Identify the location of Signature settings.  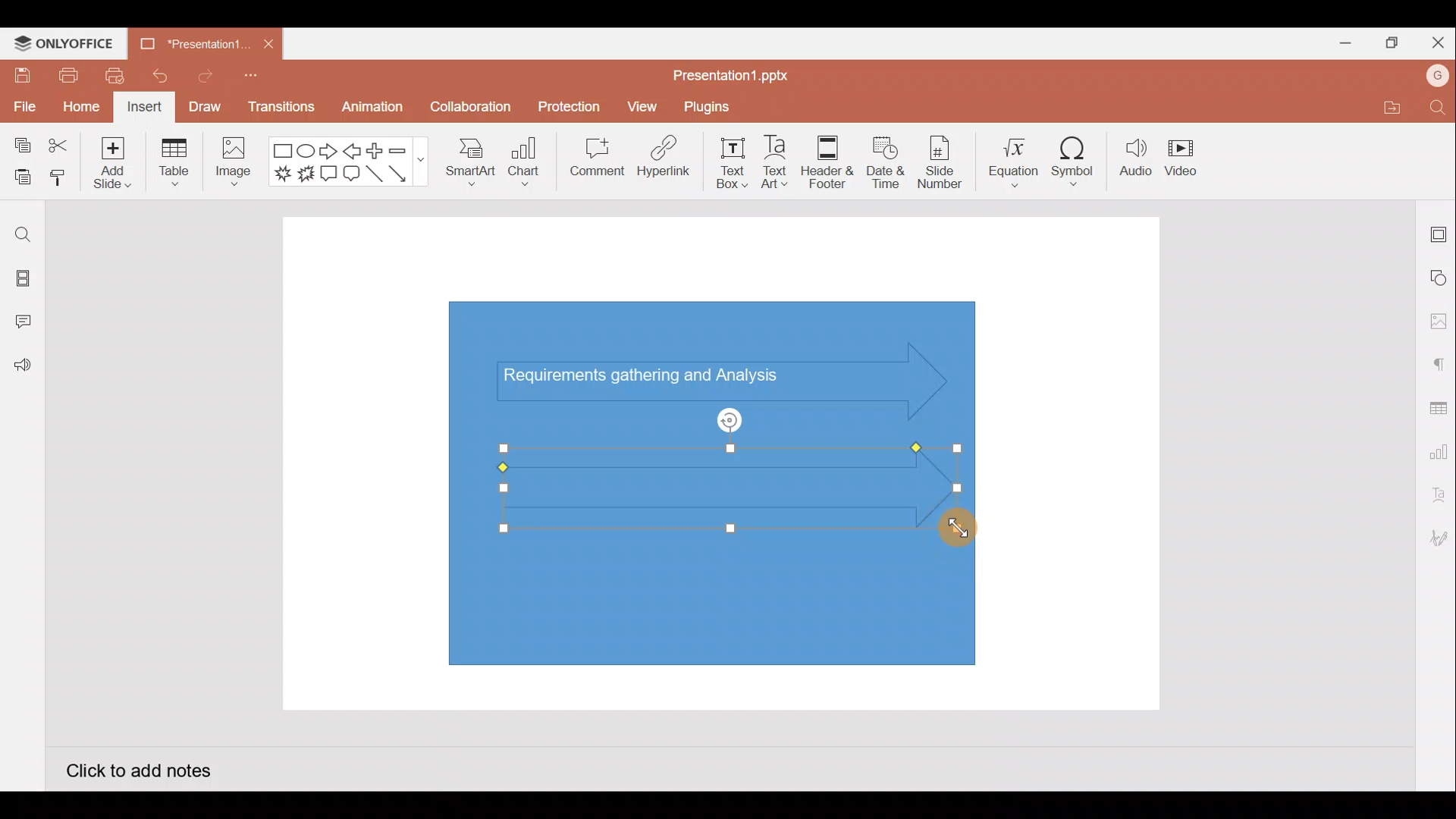
(1436, 540).